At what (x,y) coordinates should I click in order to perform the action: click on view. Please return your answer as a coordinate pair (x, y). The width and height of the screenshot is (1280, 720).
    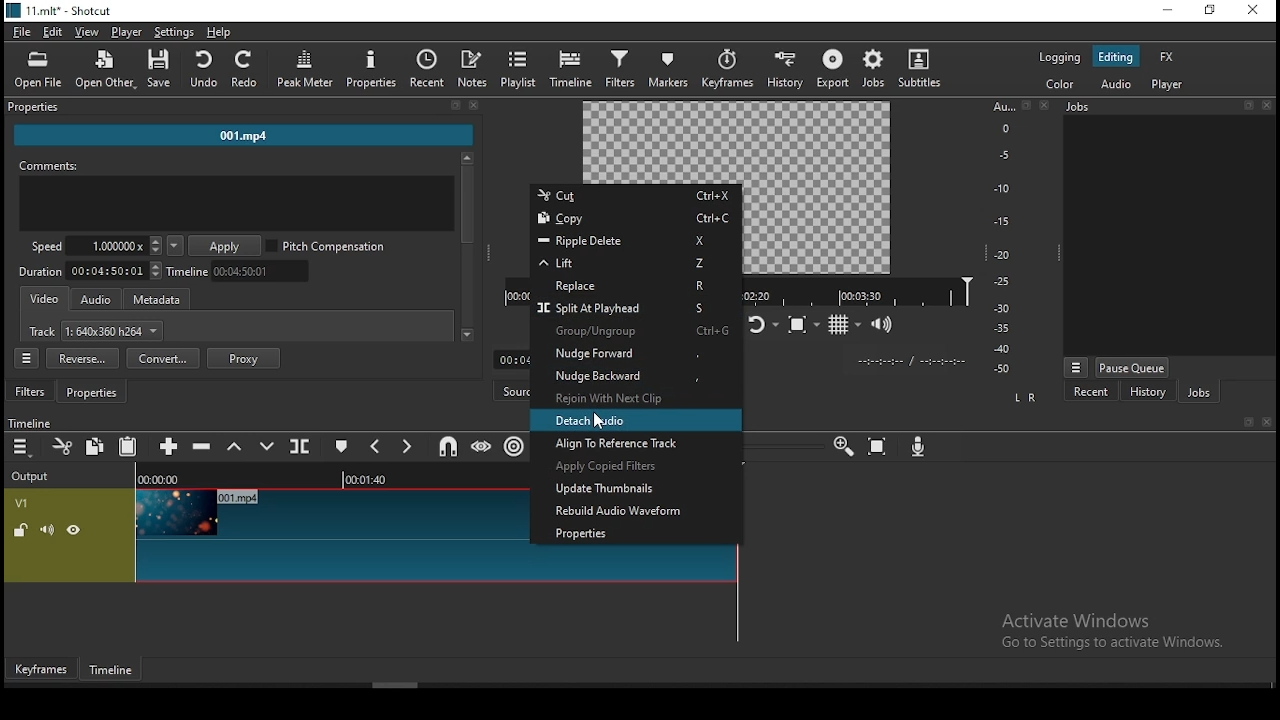
    Looking at the image, I should click on (87, 32).